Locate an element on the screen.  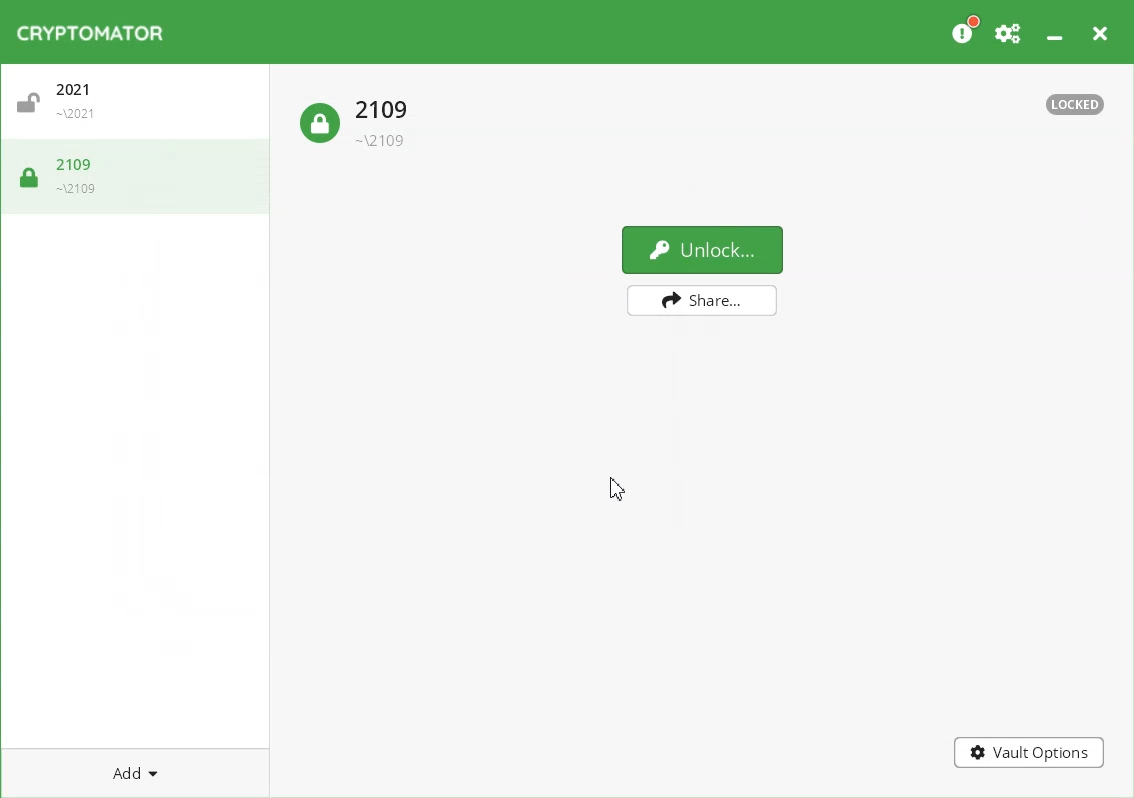
Lock Vault is located at coordinates (136, 182).